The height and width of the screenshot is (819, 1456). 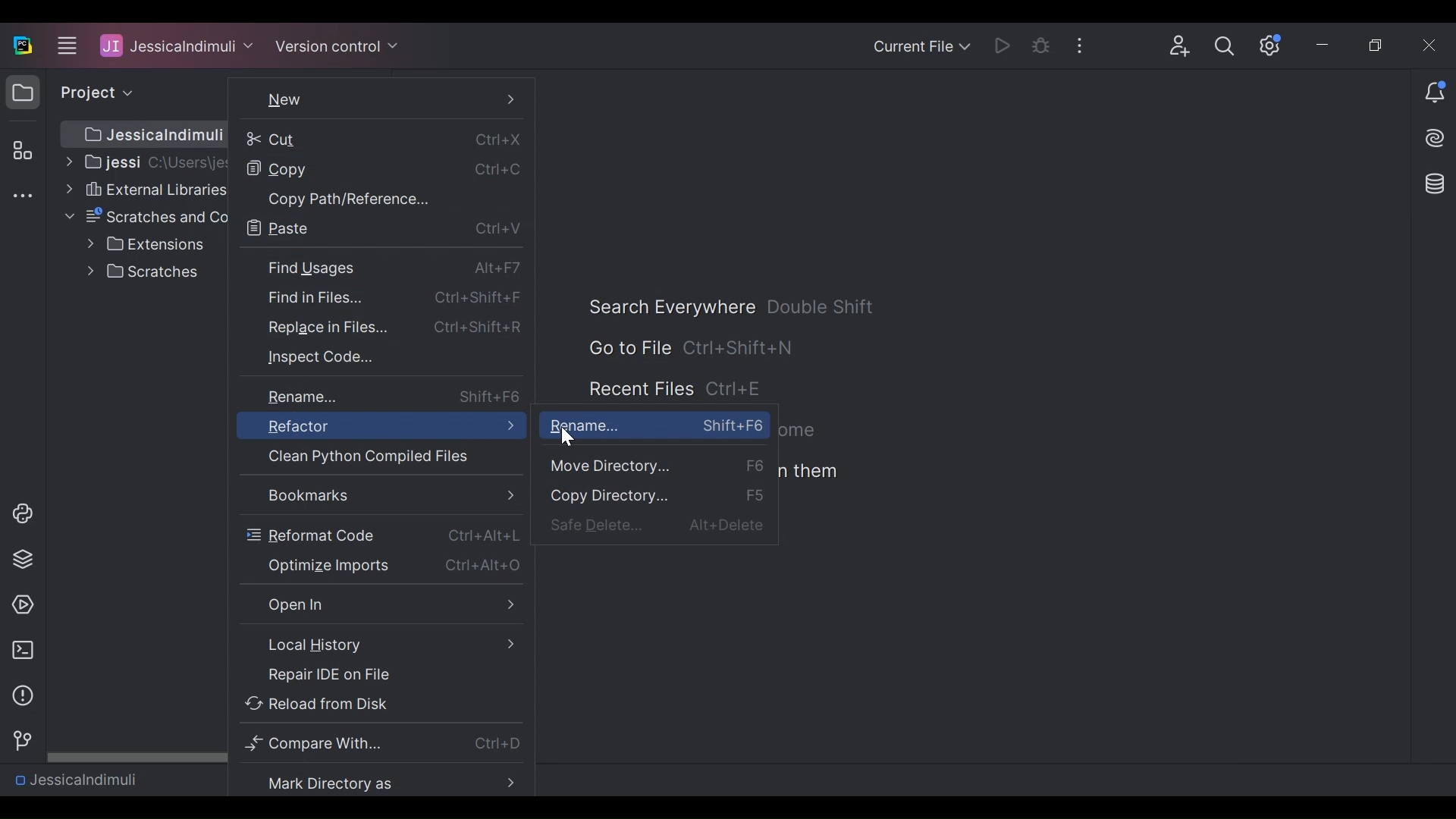 I want to click on Scratches, so click(x=146, y=271).